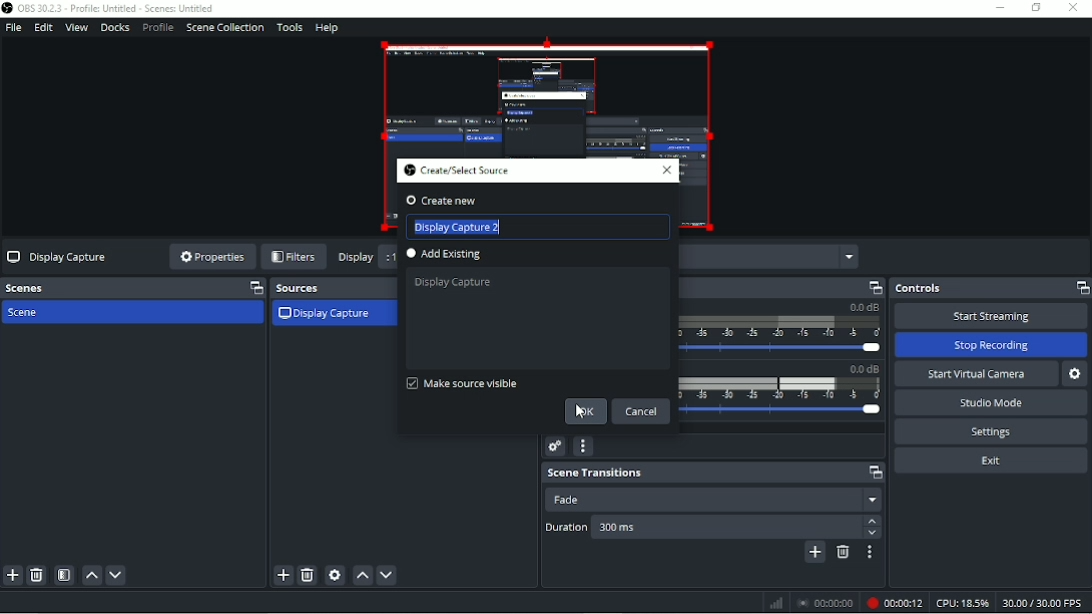  I want to click on Add configurable transition, so click(814, 553).